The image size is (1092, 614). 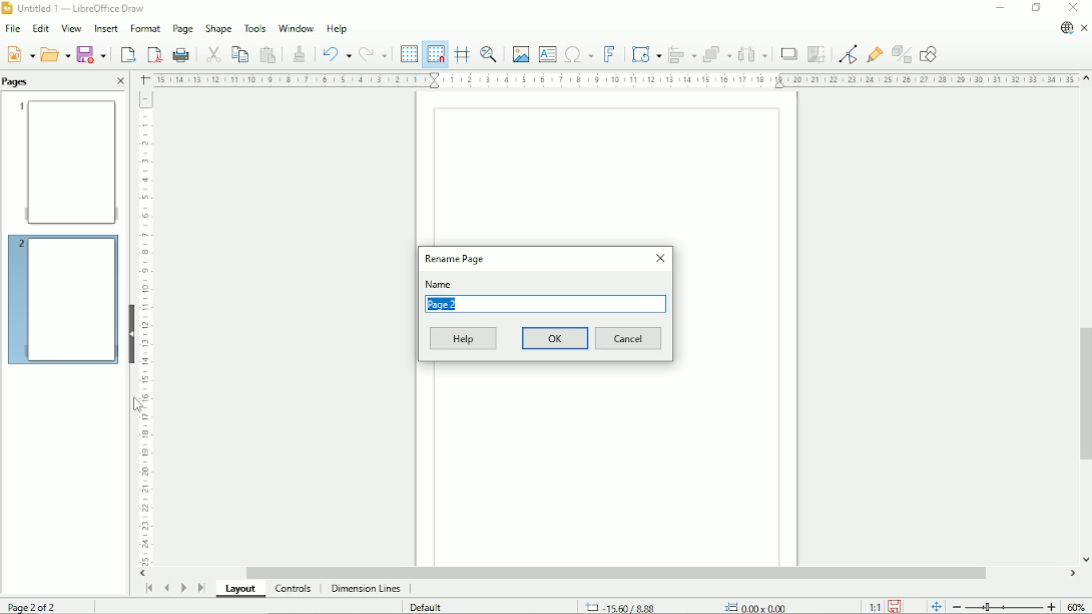 I want to click on Close, so click(x=659, y=258).